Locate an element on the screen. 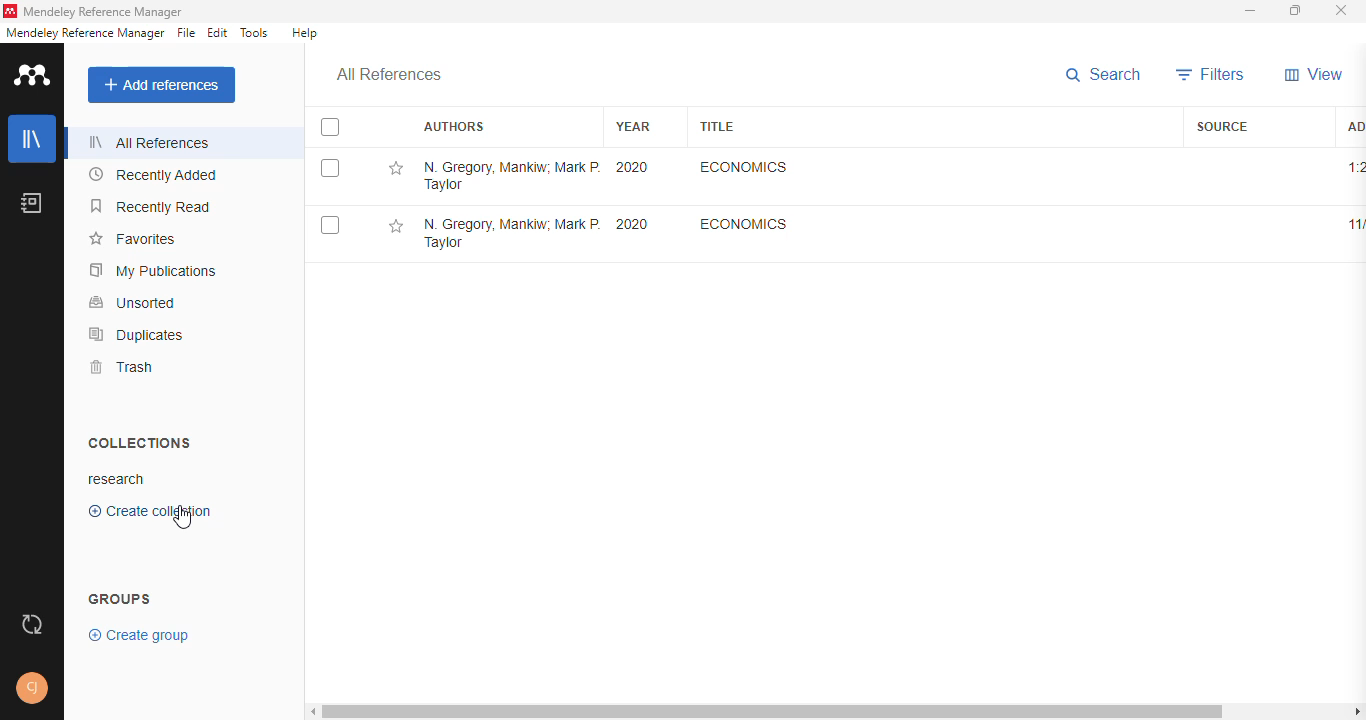 The width and height of the screenshot is (1366, 720). add this reference to favorites is located at coordinates (395, 227).